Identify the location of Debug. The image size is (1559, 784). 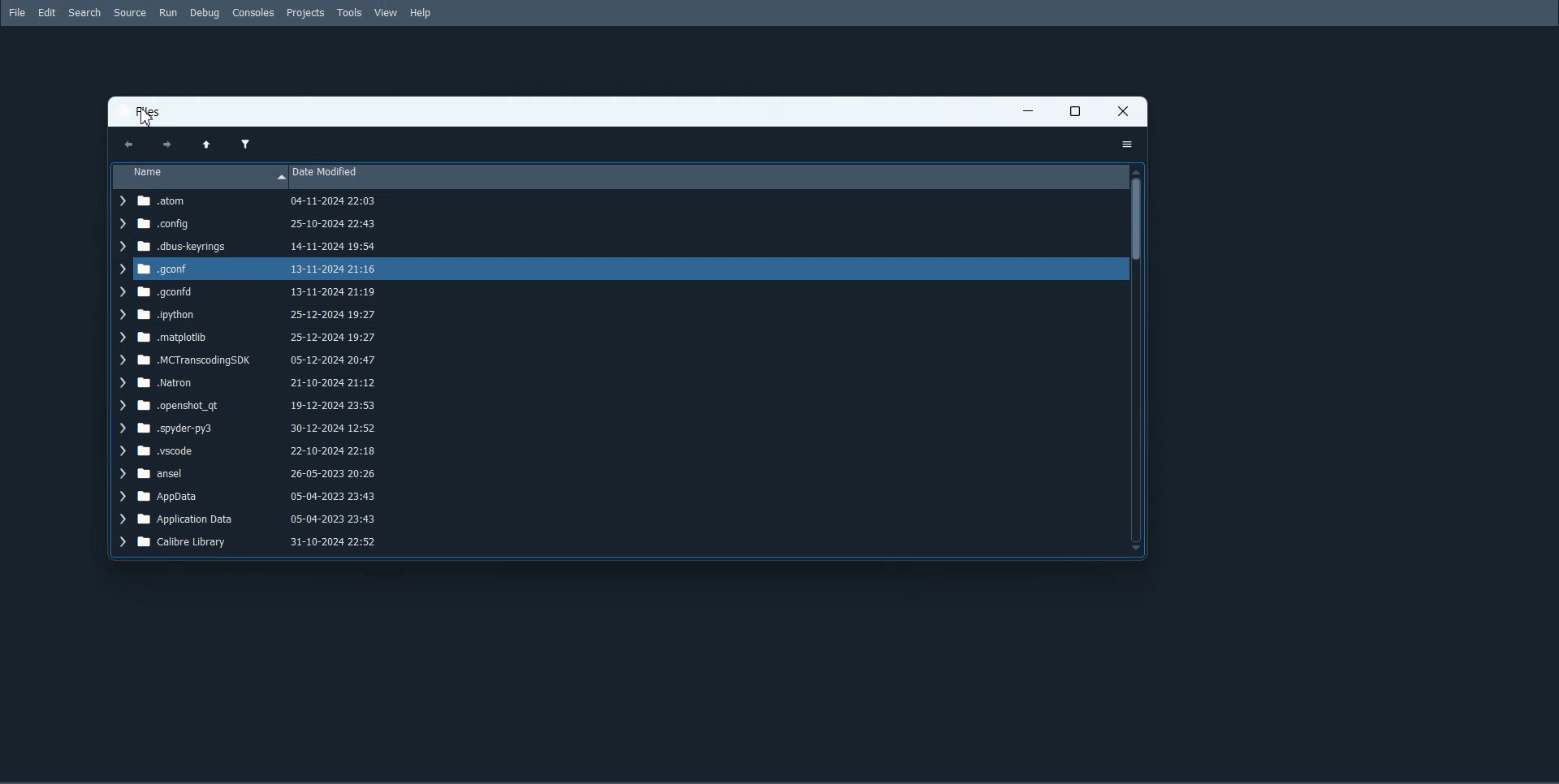
(204, 13).